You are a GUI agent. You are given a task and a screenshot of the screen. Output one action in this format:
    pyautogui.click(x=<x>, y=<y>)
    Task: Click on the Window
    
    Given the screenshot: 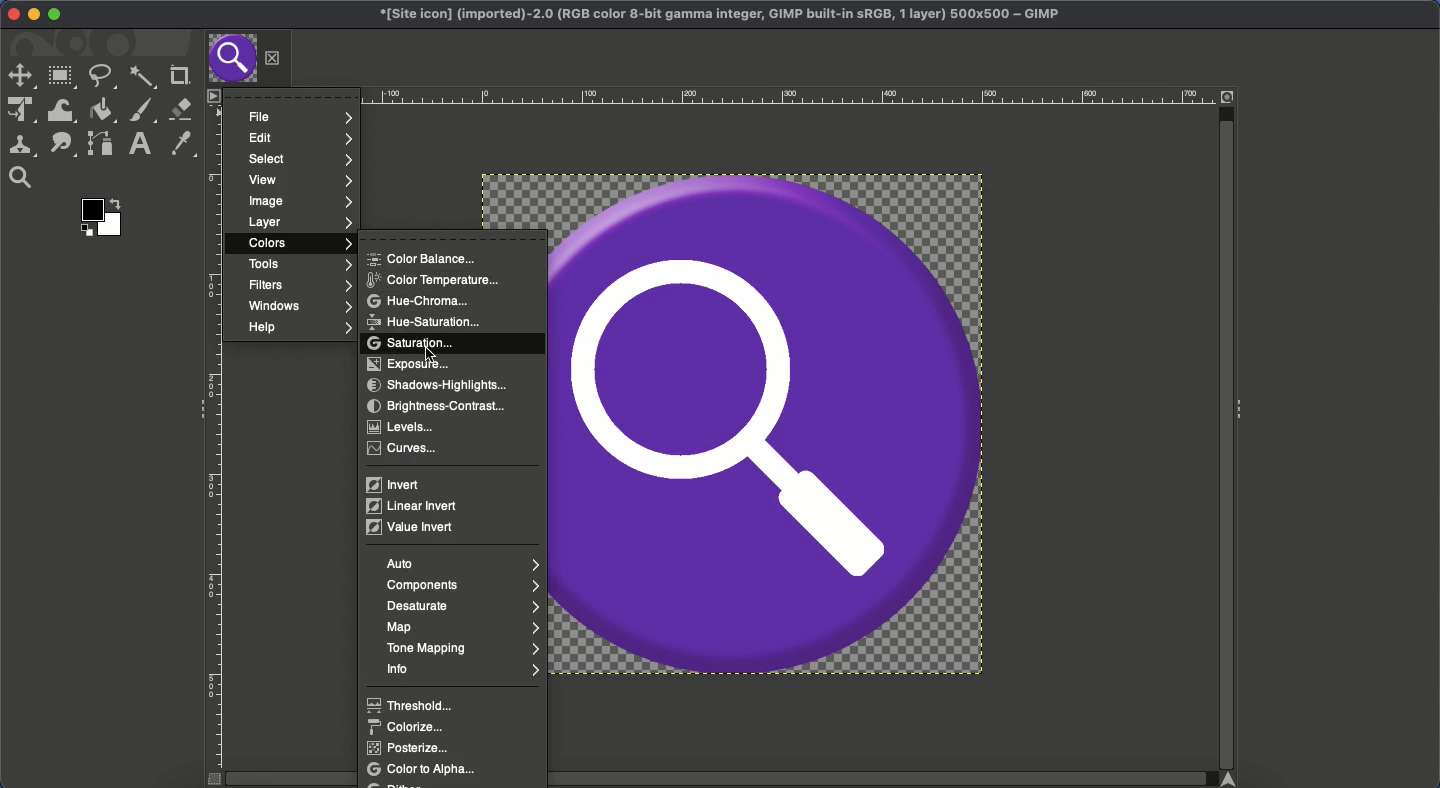 What is the action you would take?
    pyautogui.click(x=299, y=308)
    